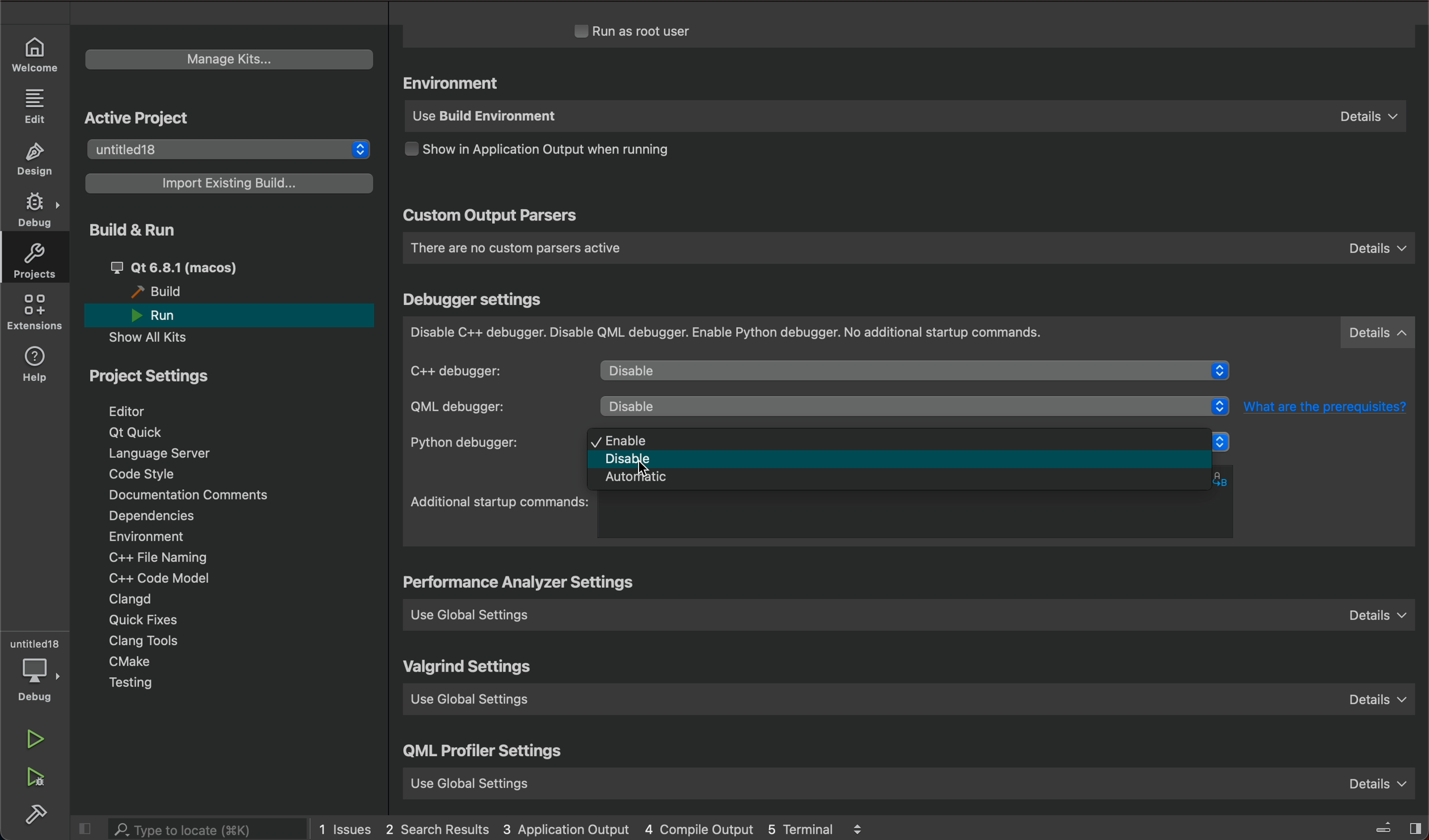  I want to click on qml debugger, so click(485, 407).